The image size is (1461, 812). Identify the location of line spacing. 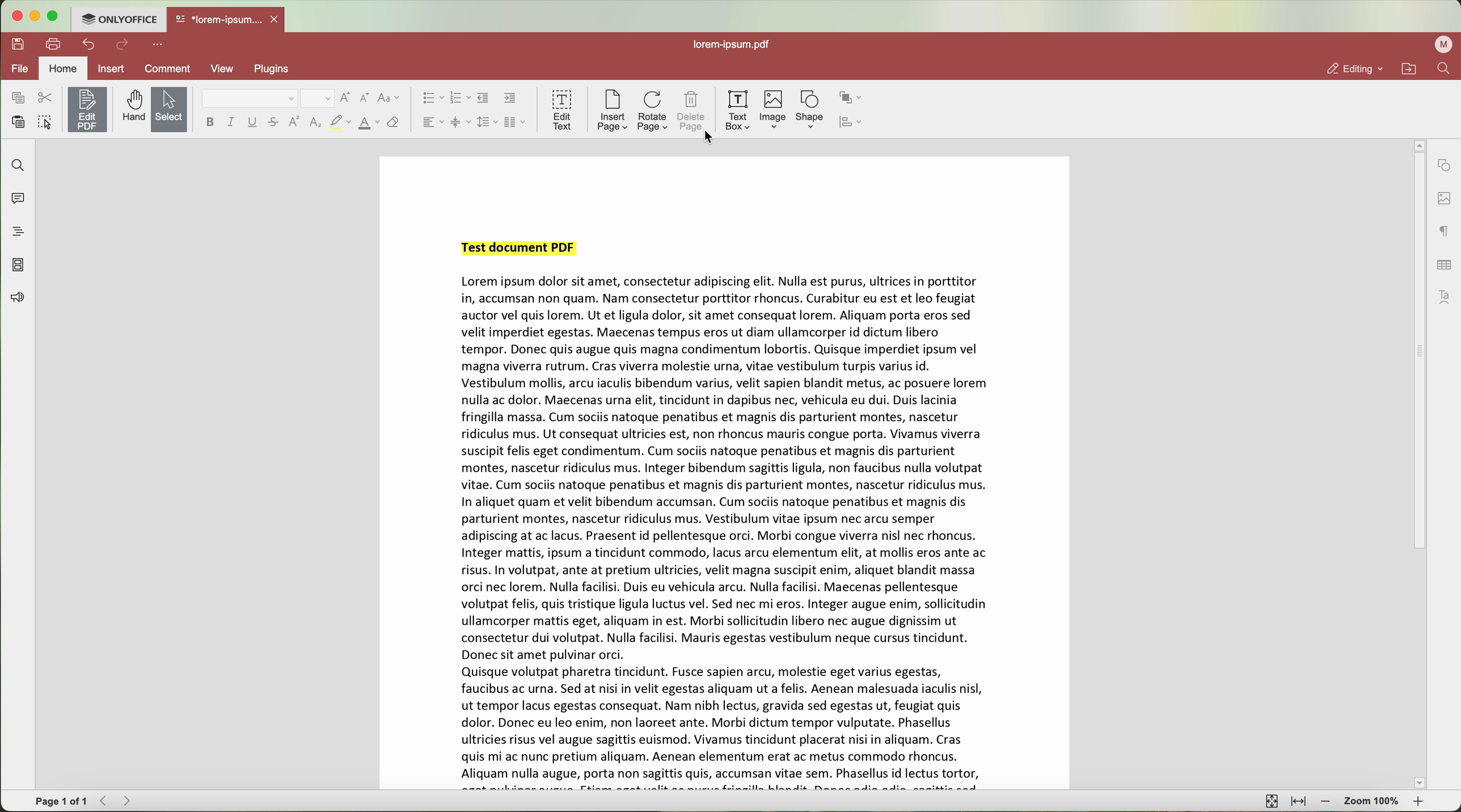
(487, 122).